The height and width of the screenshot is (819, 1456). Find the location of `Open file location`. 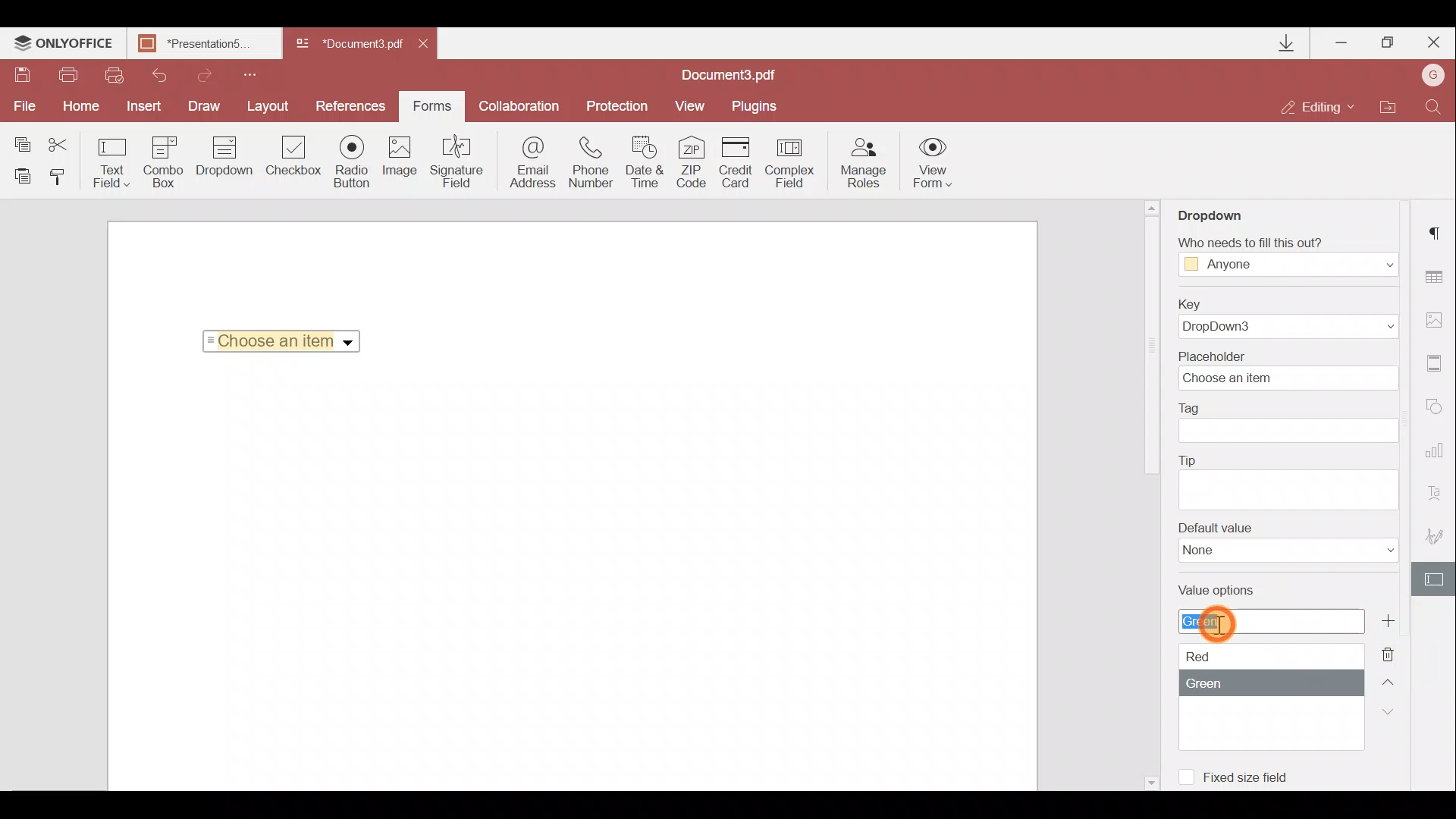

Open file location is located at coordinates (1389, 106).